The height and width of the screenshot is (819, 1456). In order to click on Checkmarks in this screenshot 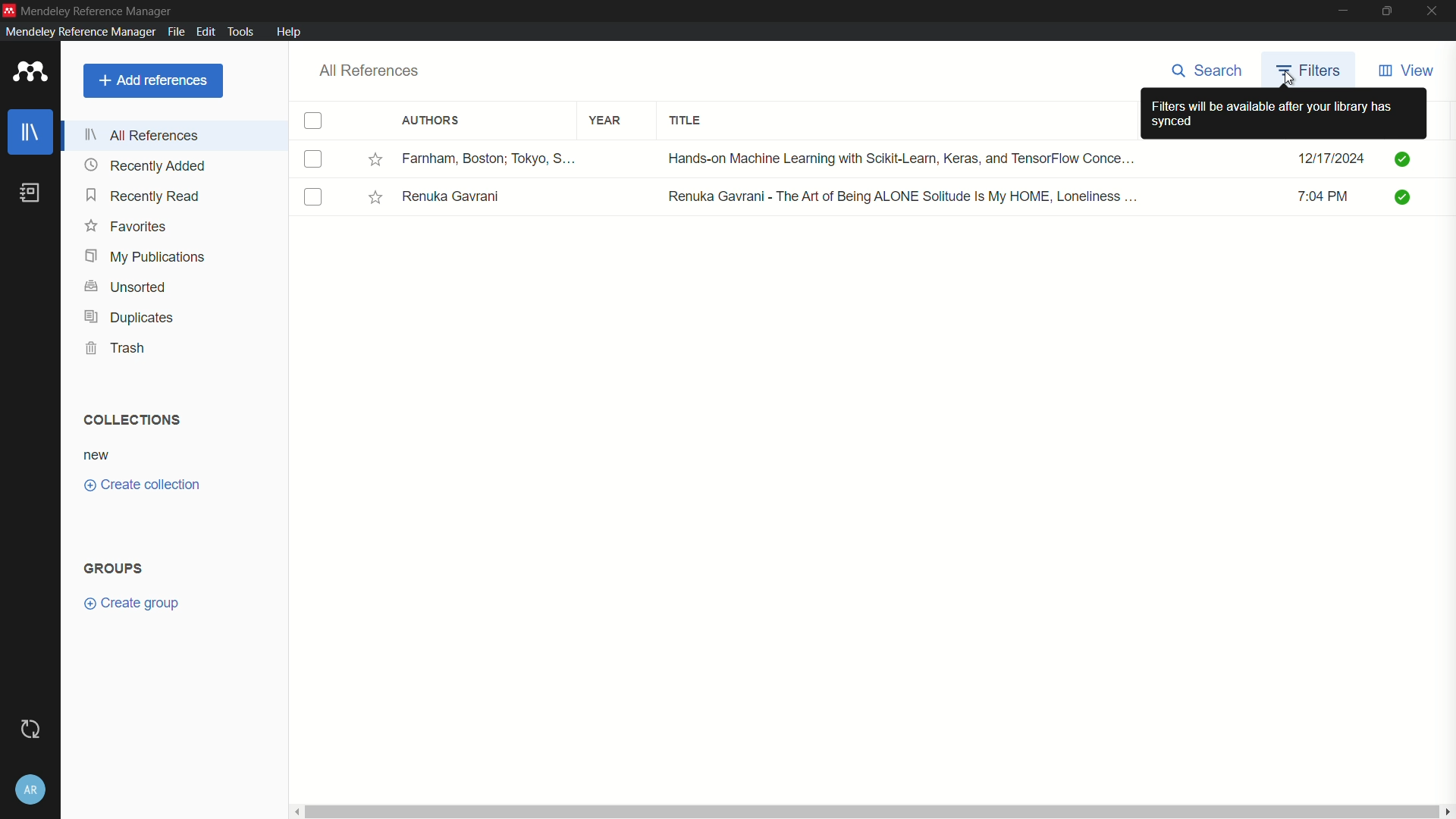, I will do `click(1402, 159)`.